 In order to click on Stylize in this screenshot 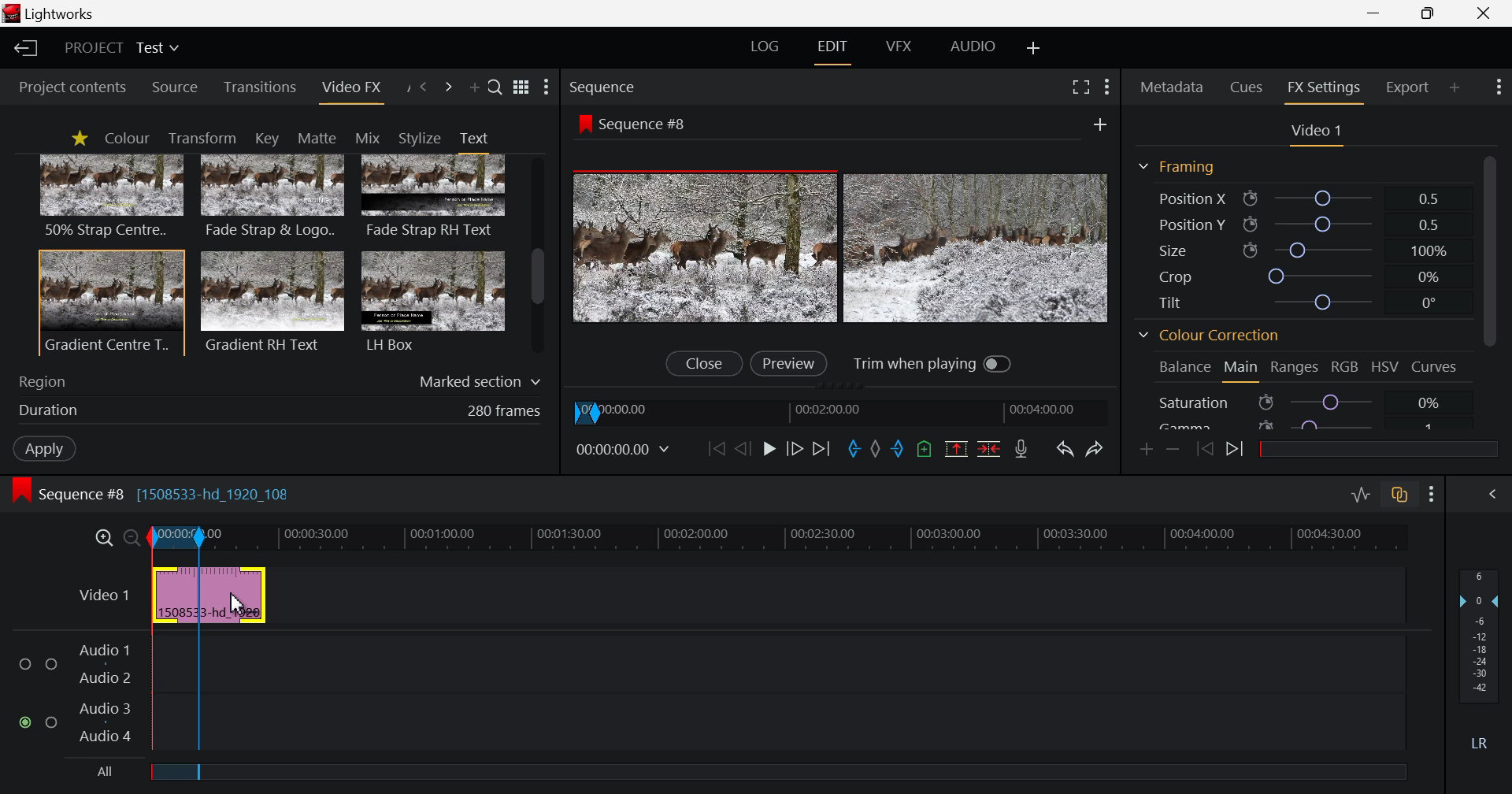, I will do `click(420, 138)`.